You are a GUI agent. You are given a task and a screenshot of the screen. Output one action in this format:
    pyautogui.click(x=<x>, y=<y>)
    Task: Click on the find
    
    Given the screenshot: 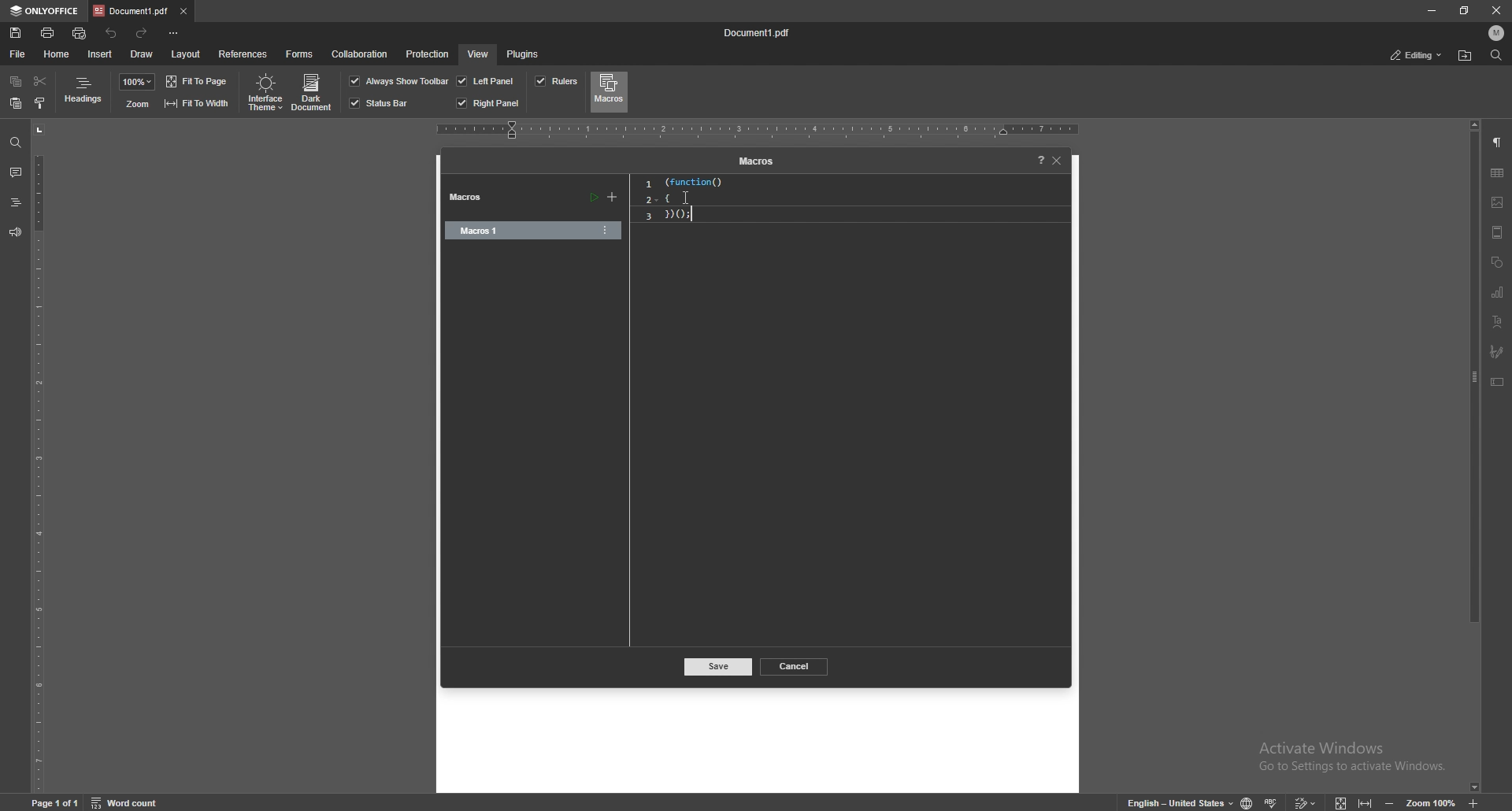 What is the action you would take?
    pyautogui.click(x=1495, y=56)
    